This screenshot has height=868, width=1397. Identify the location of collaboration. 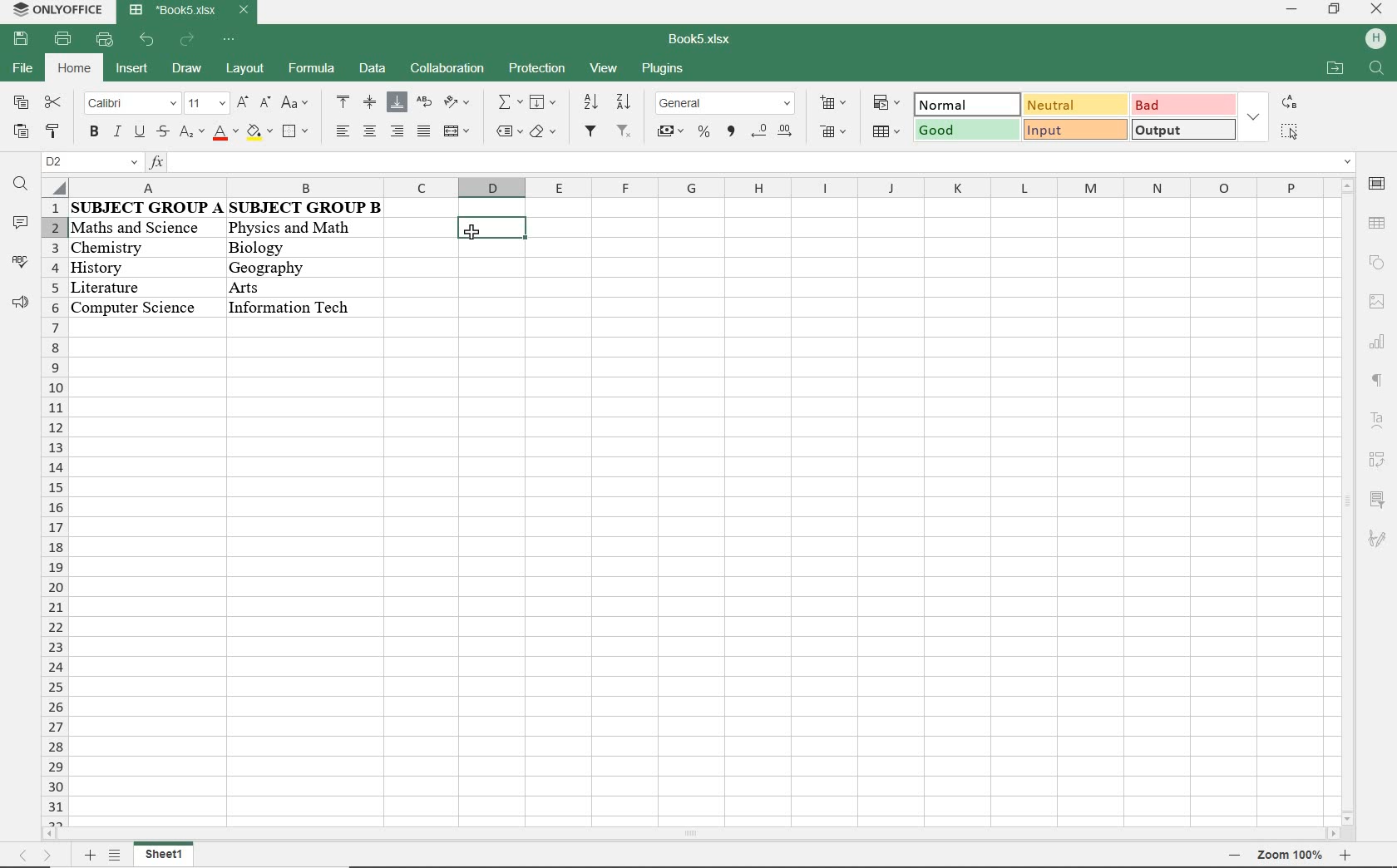
(446, 70).